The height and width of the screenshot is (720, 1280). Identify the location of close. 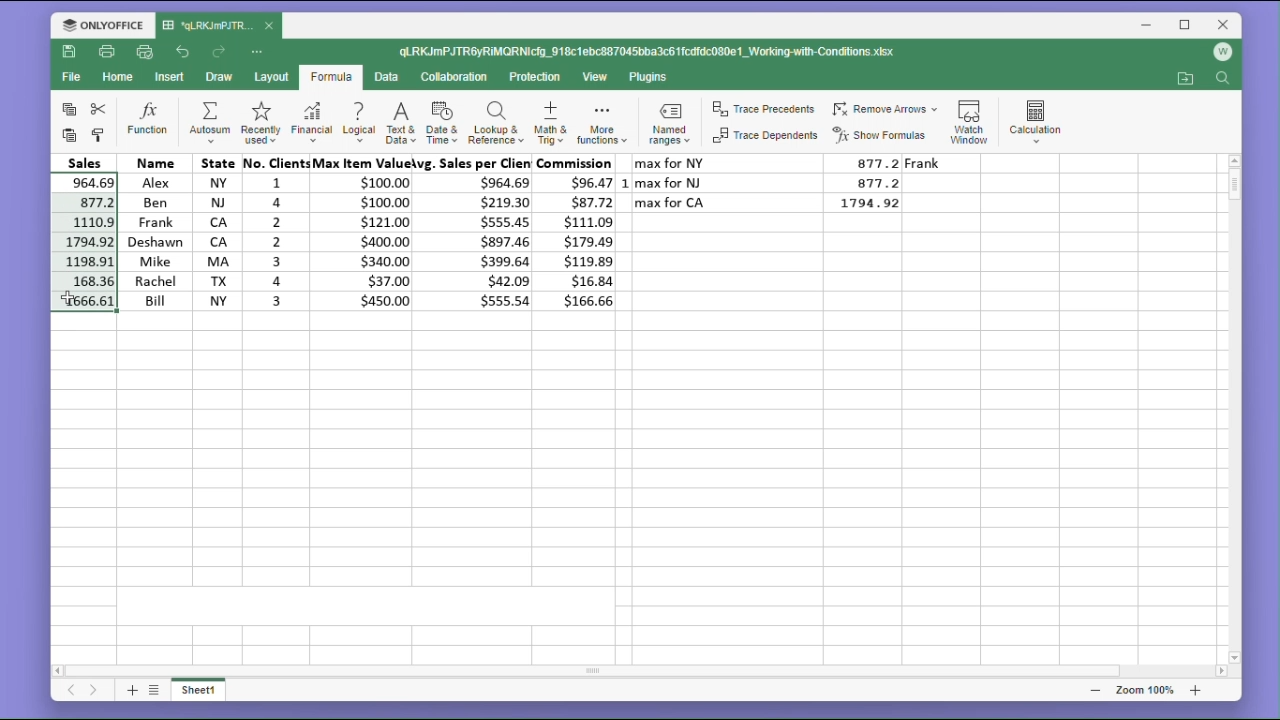
(270, 27).